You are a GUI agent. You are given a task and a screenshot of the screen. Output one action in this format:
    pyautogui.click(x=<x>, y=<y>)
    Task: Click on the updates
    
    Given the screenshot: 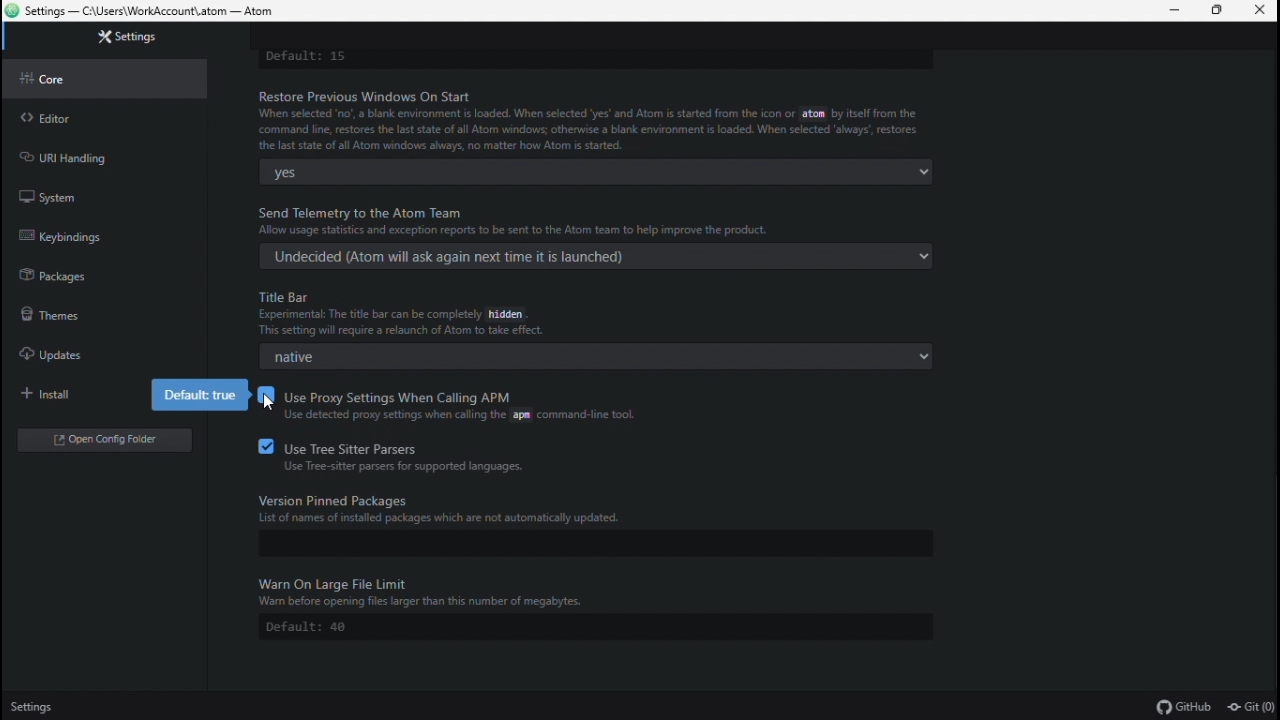 What is the action you would take?
    pyautogui.click(x=94, y=357)
    